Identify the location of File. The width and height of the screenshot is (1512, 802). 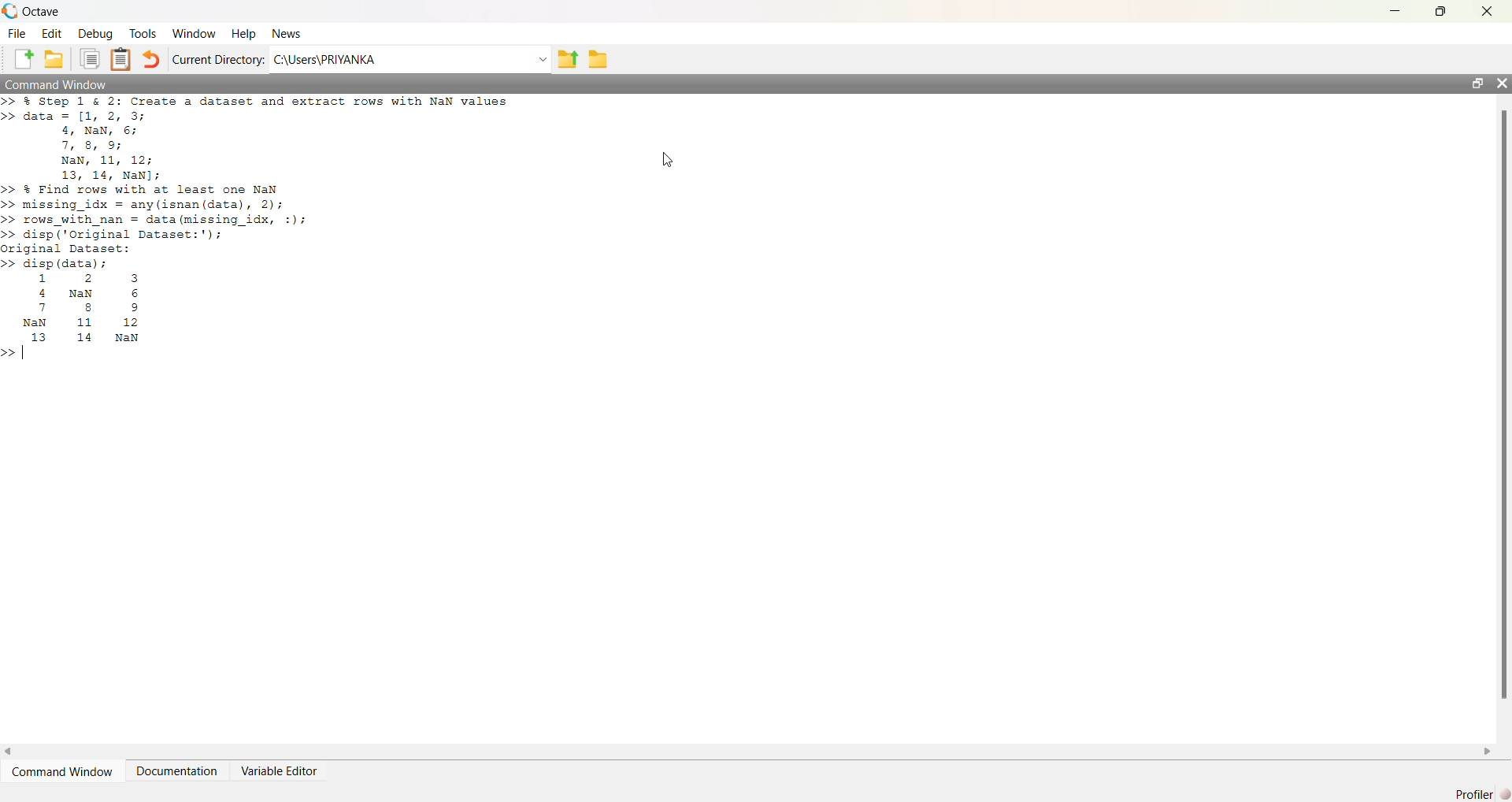
(17, 34).